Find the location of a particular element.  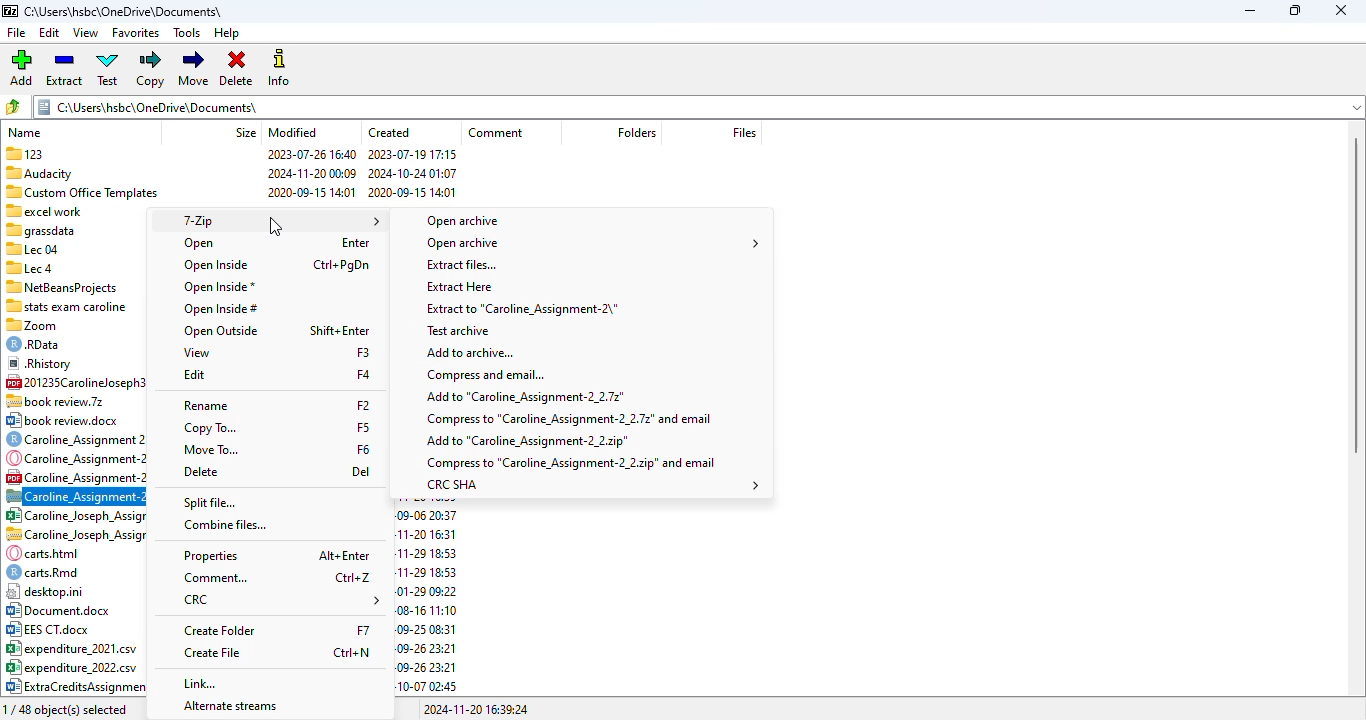

close is located at coordinates (1340, 10).